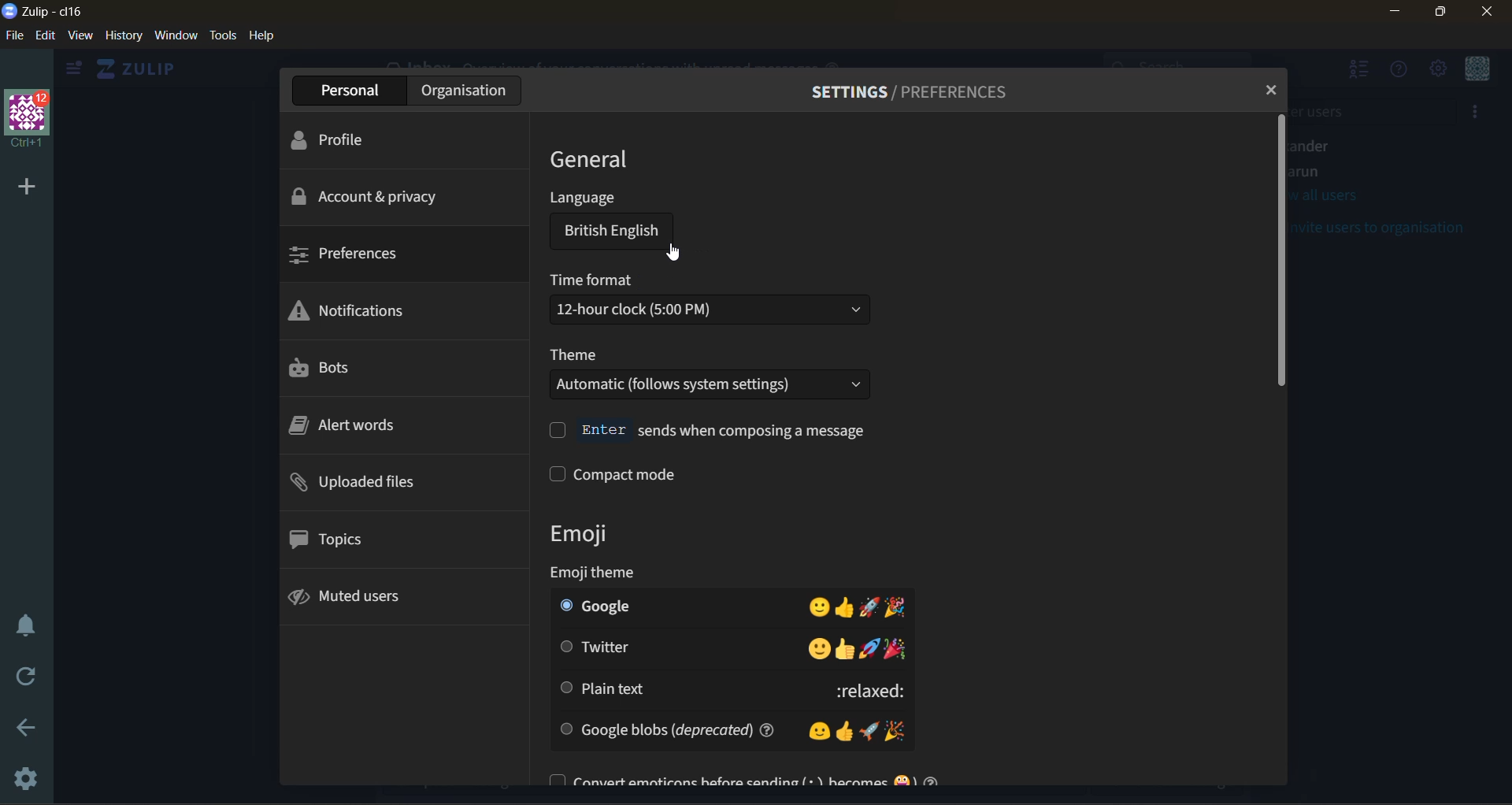 This screenshot has width=1512, height=805. I want to click on account & privacy, so click(376, 197).